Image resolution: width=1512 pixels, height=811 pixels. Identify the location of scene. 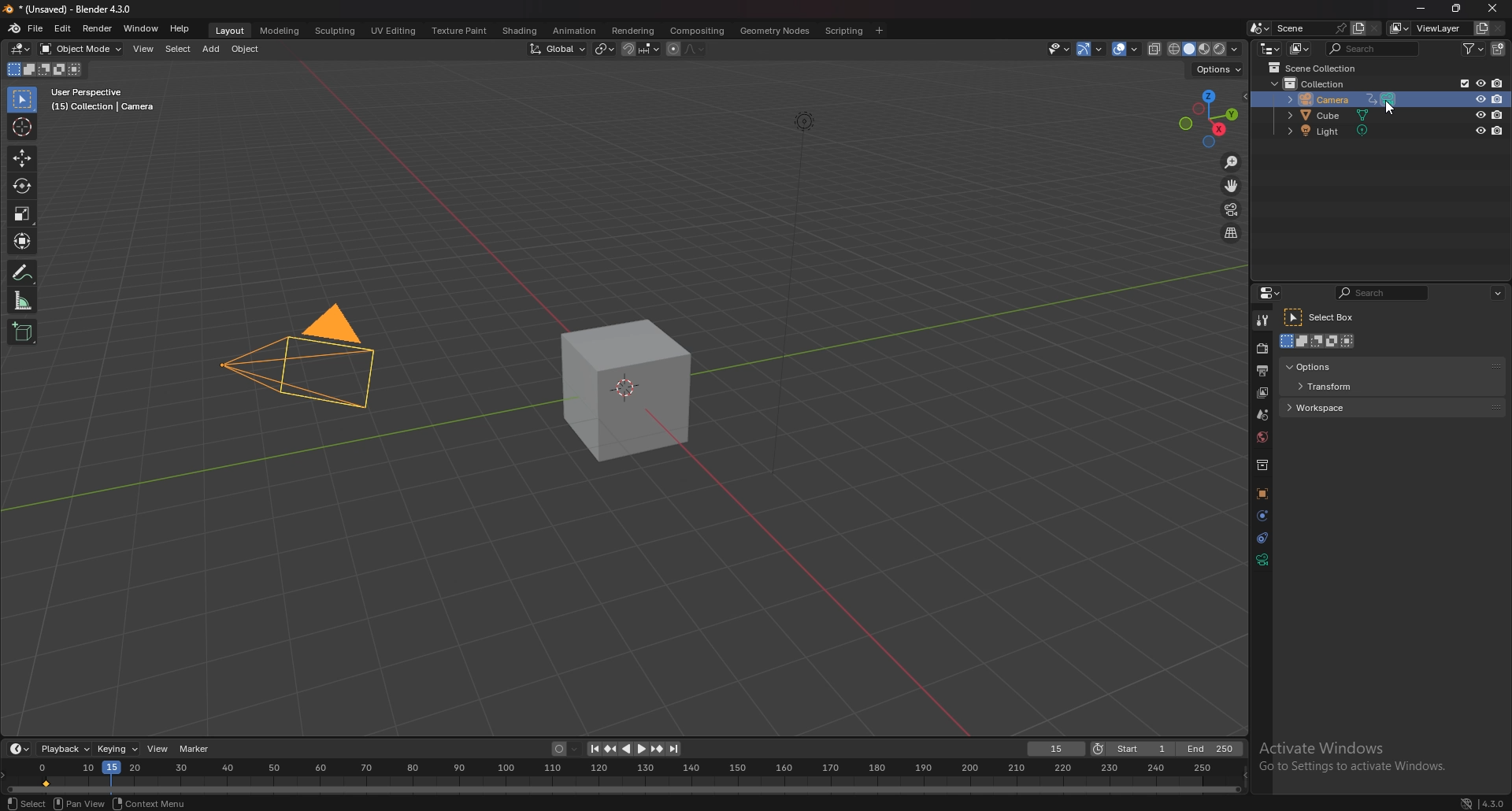
(1264, 415).